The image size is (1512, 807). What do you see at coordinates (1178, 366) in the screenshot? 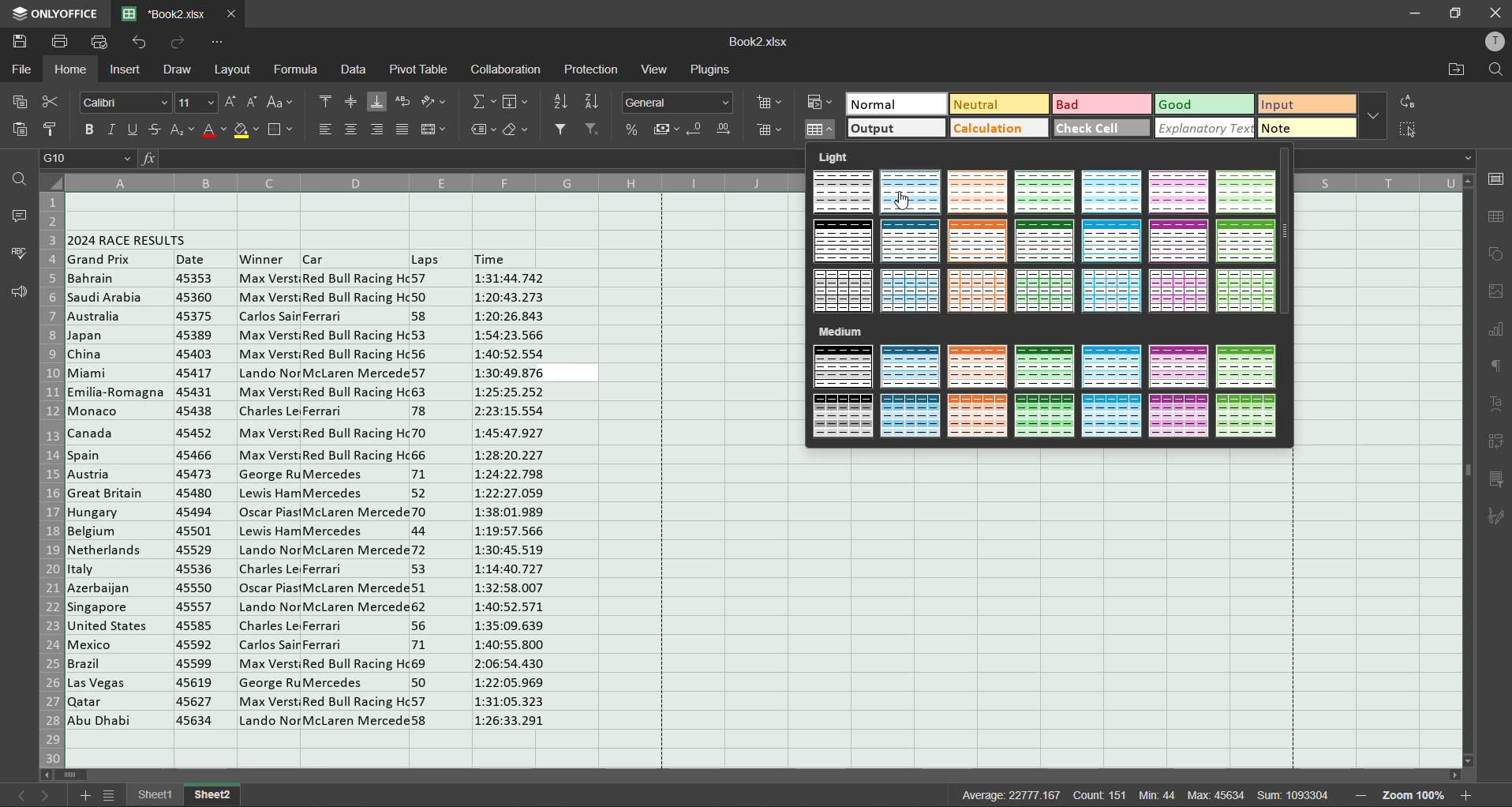
I see `table style medium 6` at bounding box center [1178, 366].